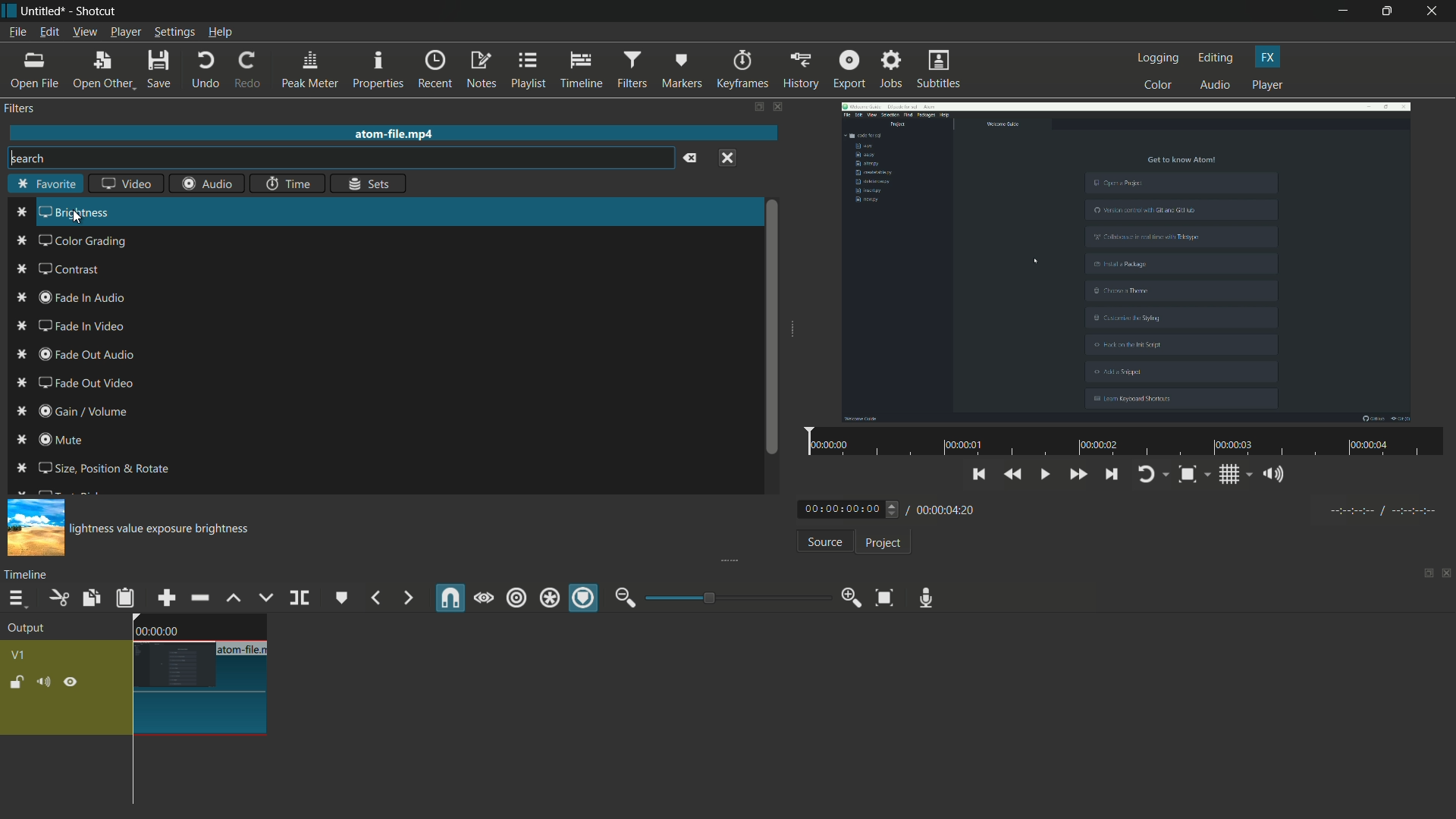 The image size is (1456, 819). Describe the element at coordinates (881, 543) in the screenshot. I see `project` at that location.